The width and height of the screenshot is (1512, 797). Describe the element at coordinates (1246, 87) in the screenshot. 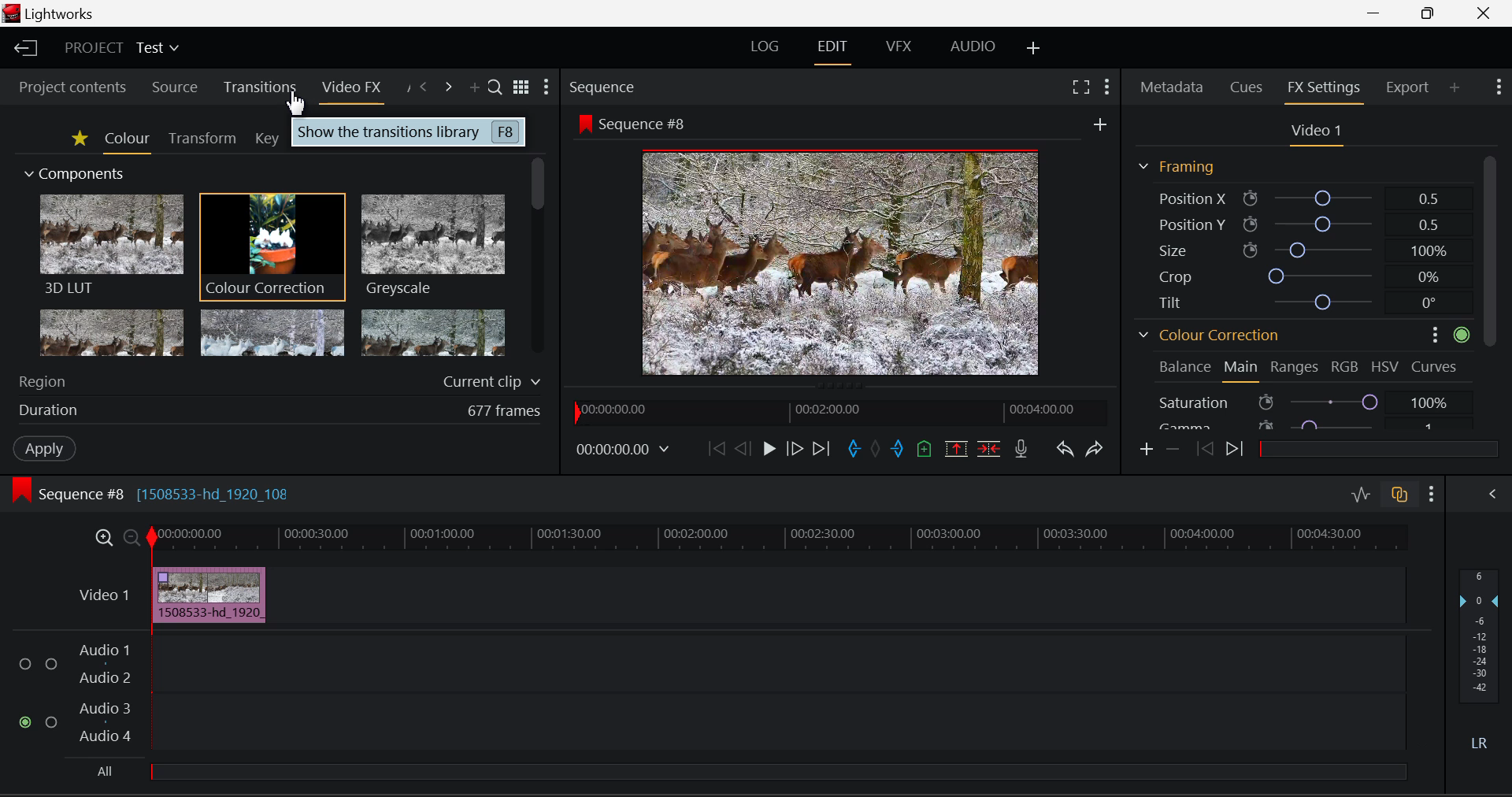

I see `Cues` at that location.